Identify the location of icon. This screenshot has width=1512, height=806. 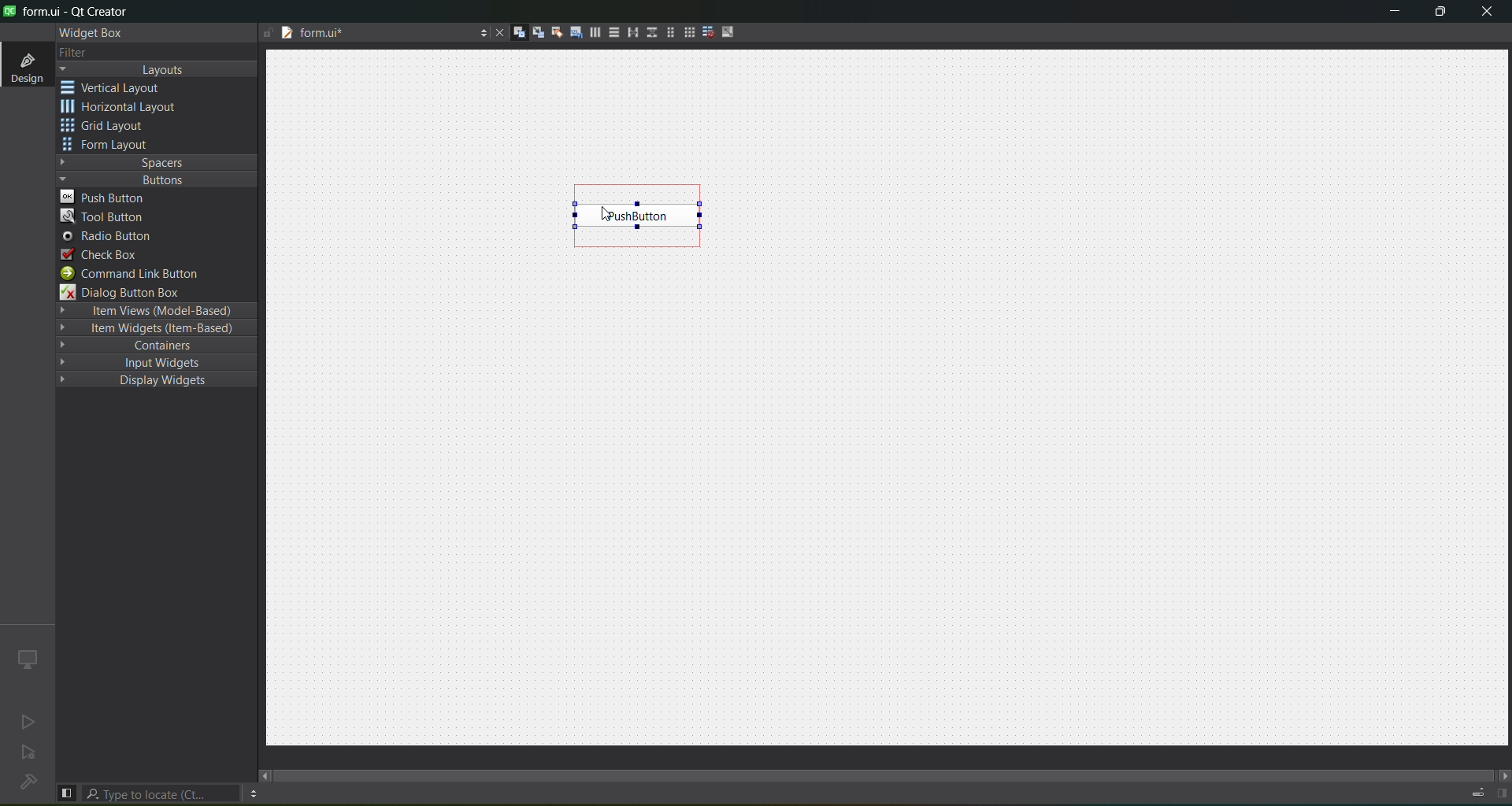
(26, 658).